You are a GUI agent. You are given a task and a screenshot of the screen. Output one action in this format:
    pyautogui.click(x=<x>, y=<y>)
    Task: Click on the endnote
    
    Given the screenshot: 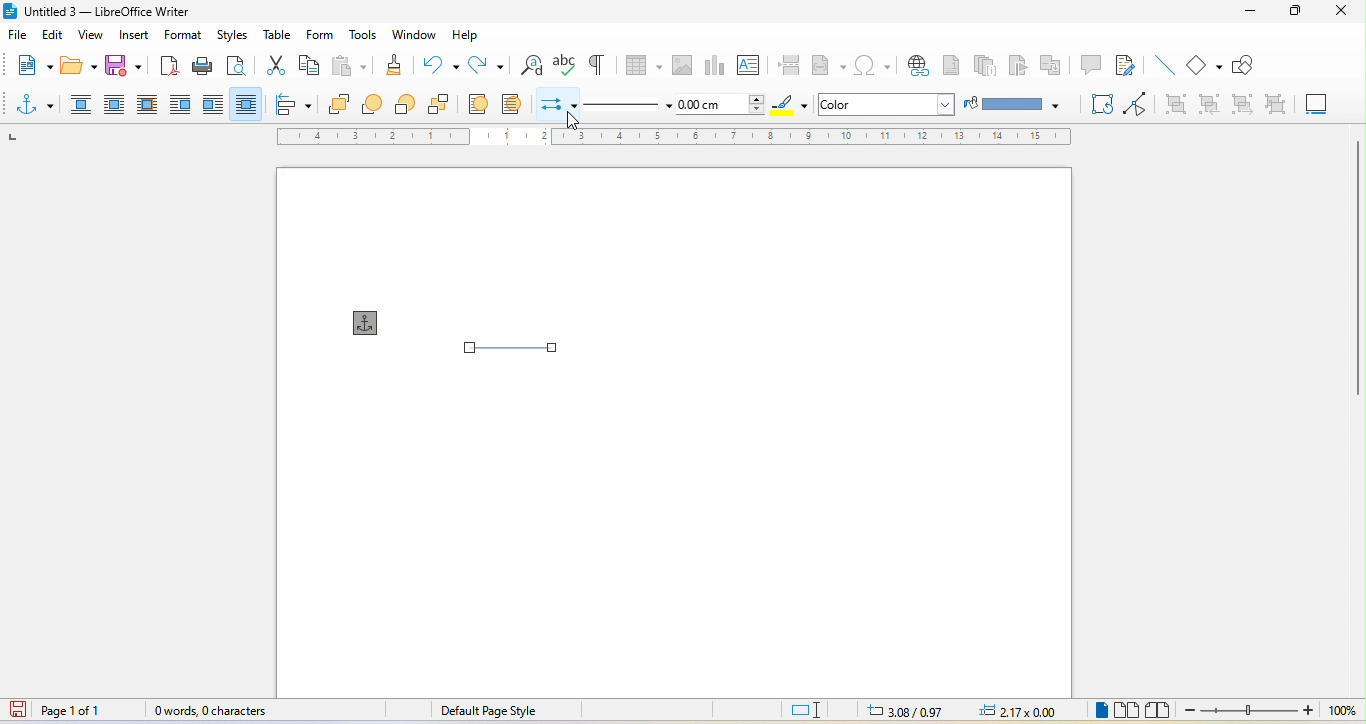 What is the action you would take?
    pyautogui.click(x=985, y=66)
    